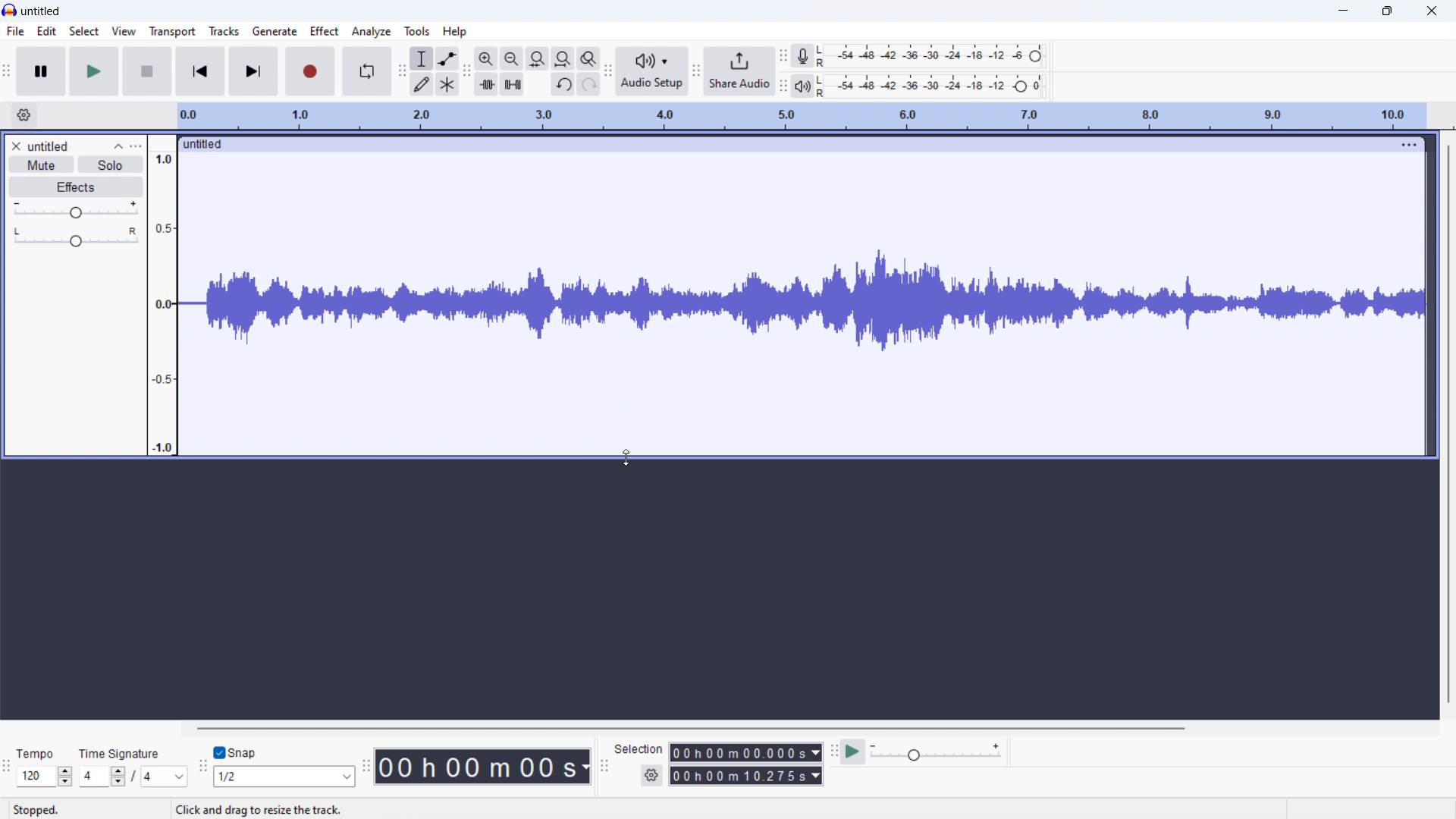 The height and width of the screenshot is (819, 1456). Describe the element at coordinates (132, 777) in the screenshot. I see `set time signature` at that location.